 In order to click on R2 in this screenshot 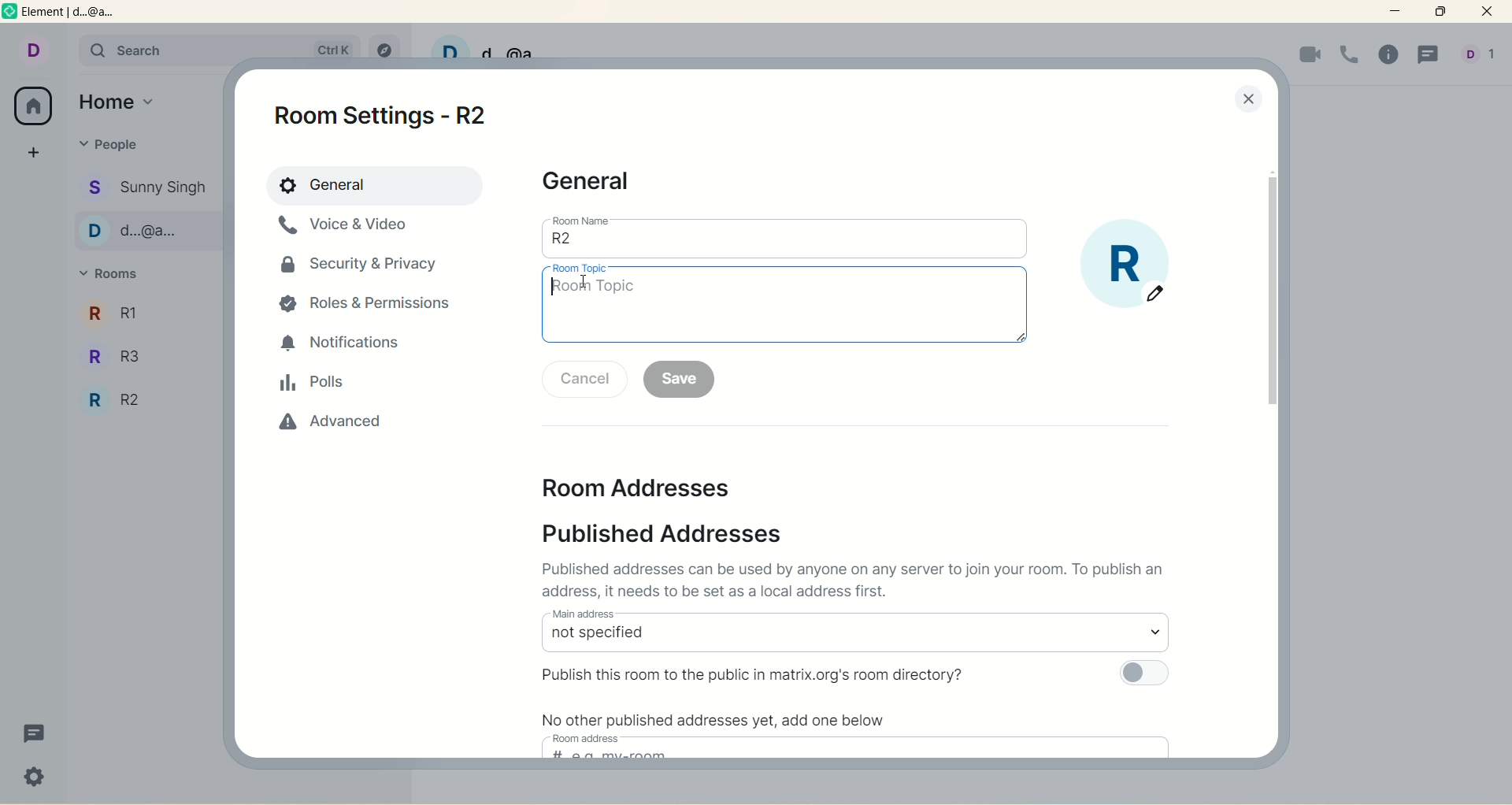, I will do `click(142, 402)`.